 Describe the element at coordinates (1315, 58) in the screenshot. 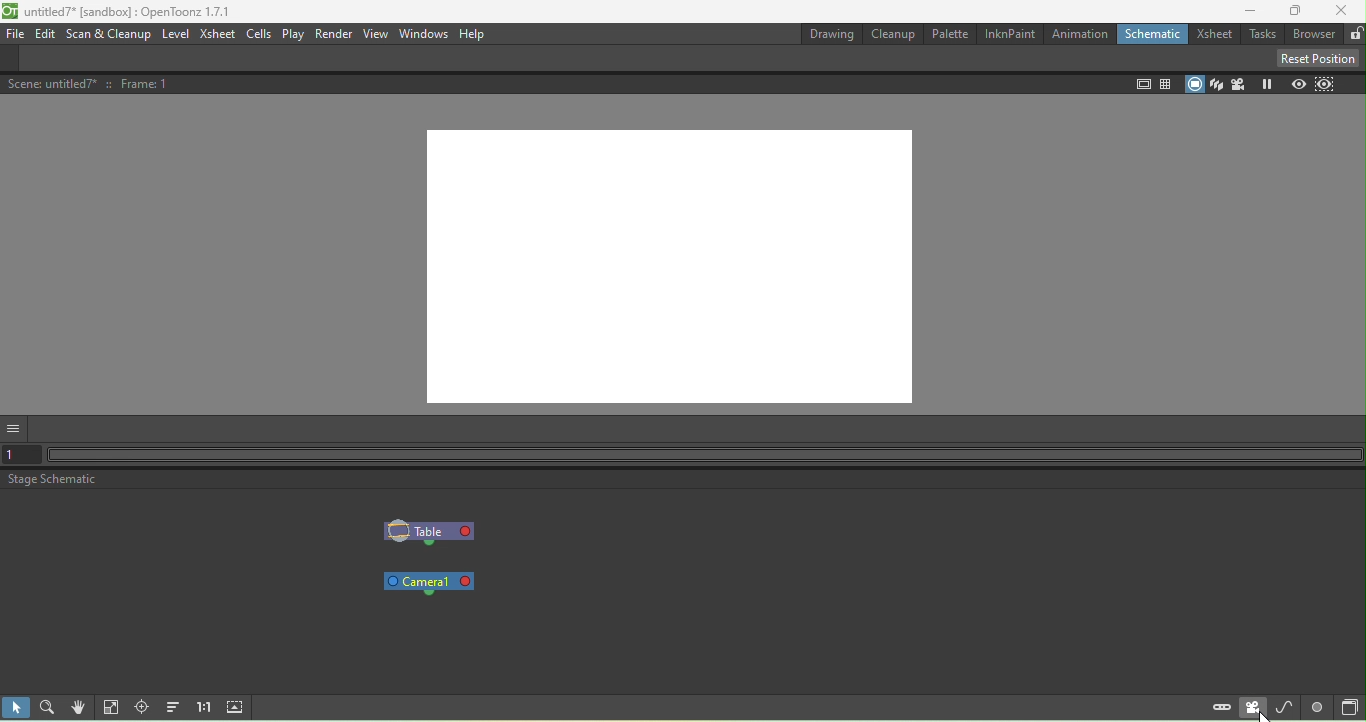

I see `Reset position` at that location.